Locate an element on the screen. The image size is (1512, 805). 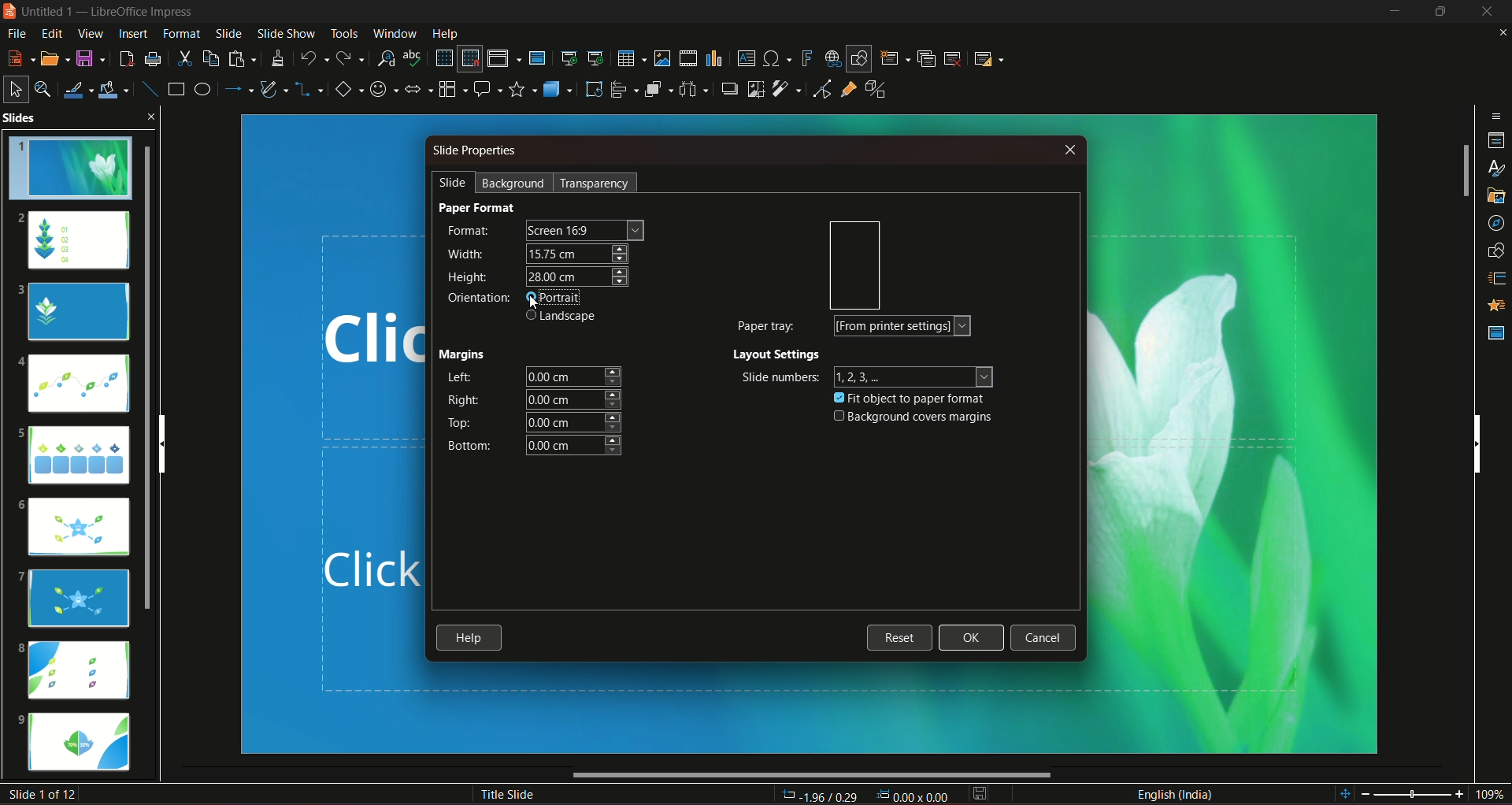
window is located at coordinates (396, 32).